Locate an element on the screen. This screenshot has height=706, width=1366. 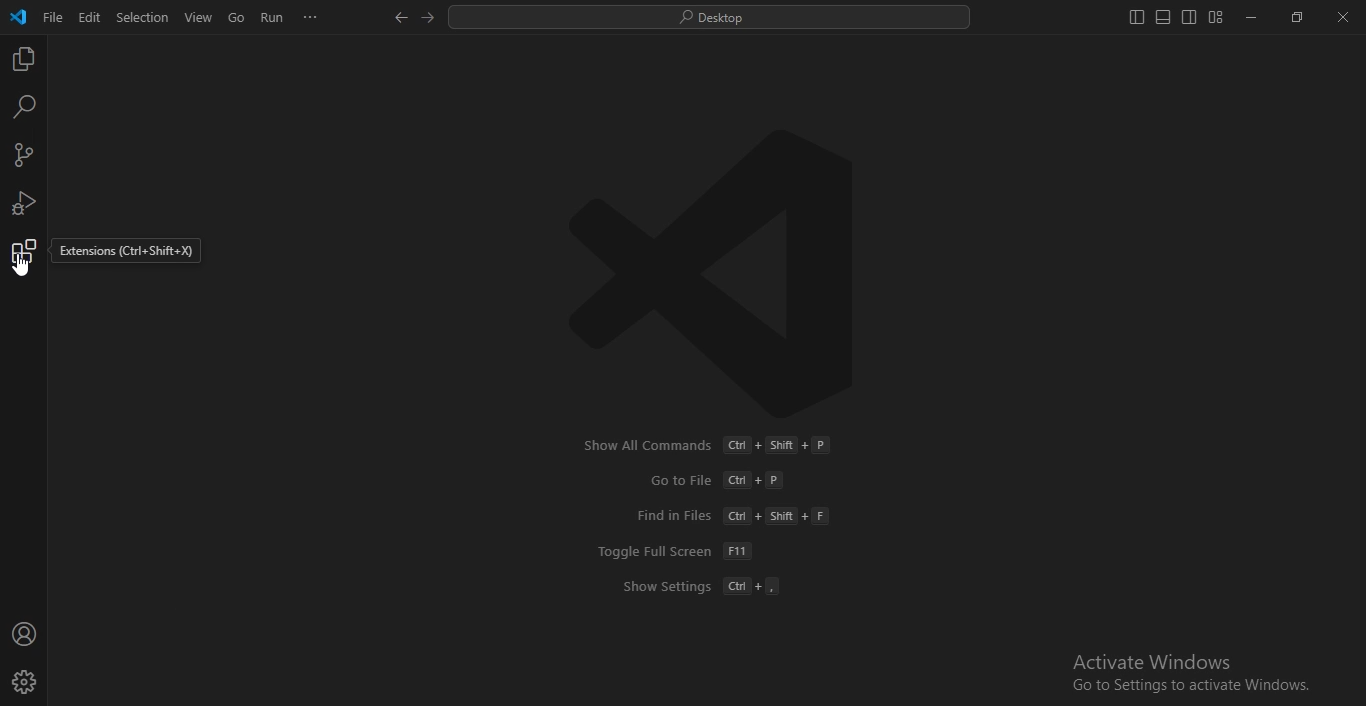
... is located at coordinates (309, 18).